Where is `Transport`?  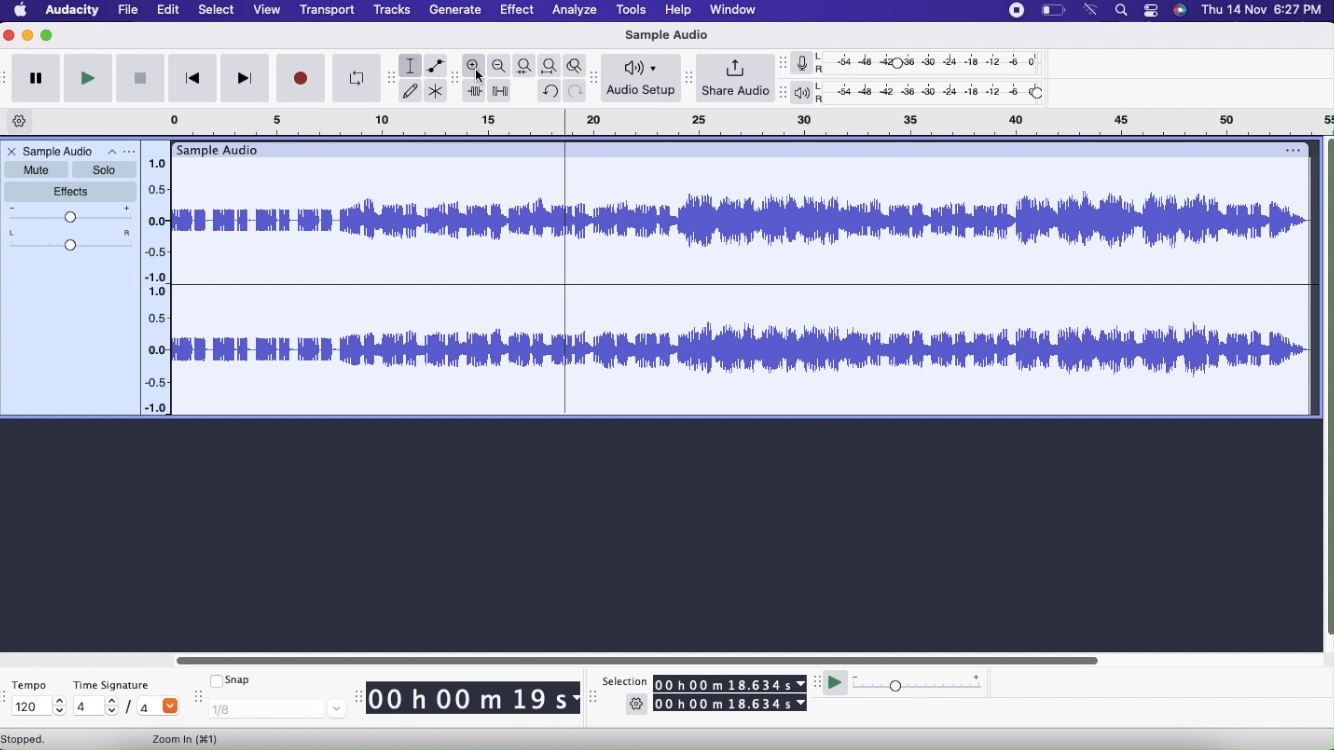 Transport is located at coordinates (328, 10).